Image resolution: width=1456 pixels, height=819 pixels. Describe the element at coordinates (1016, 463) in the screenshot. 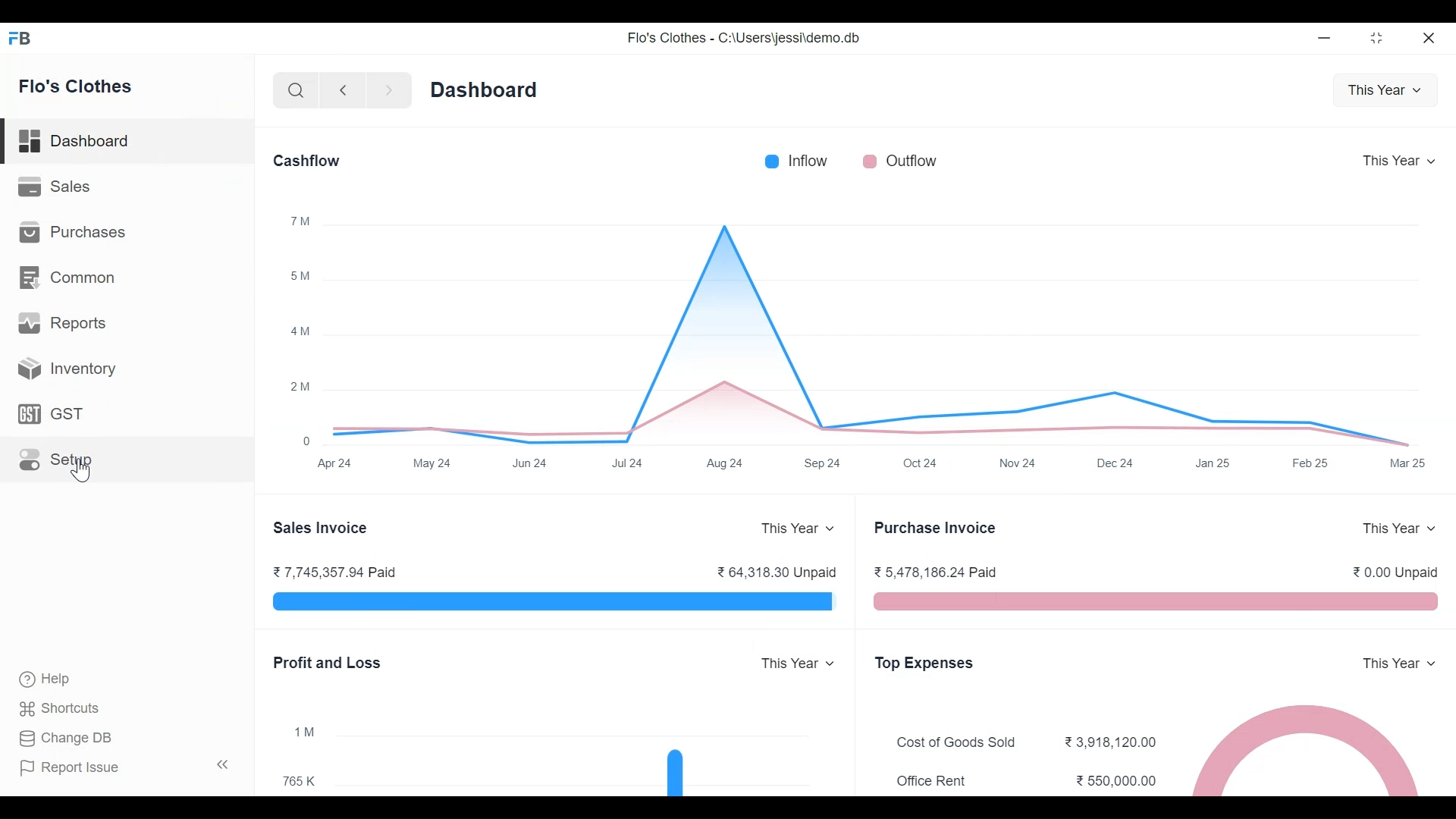

I see `Nov 24` at that location.